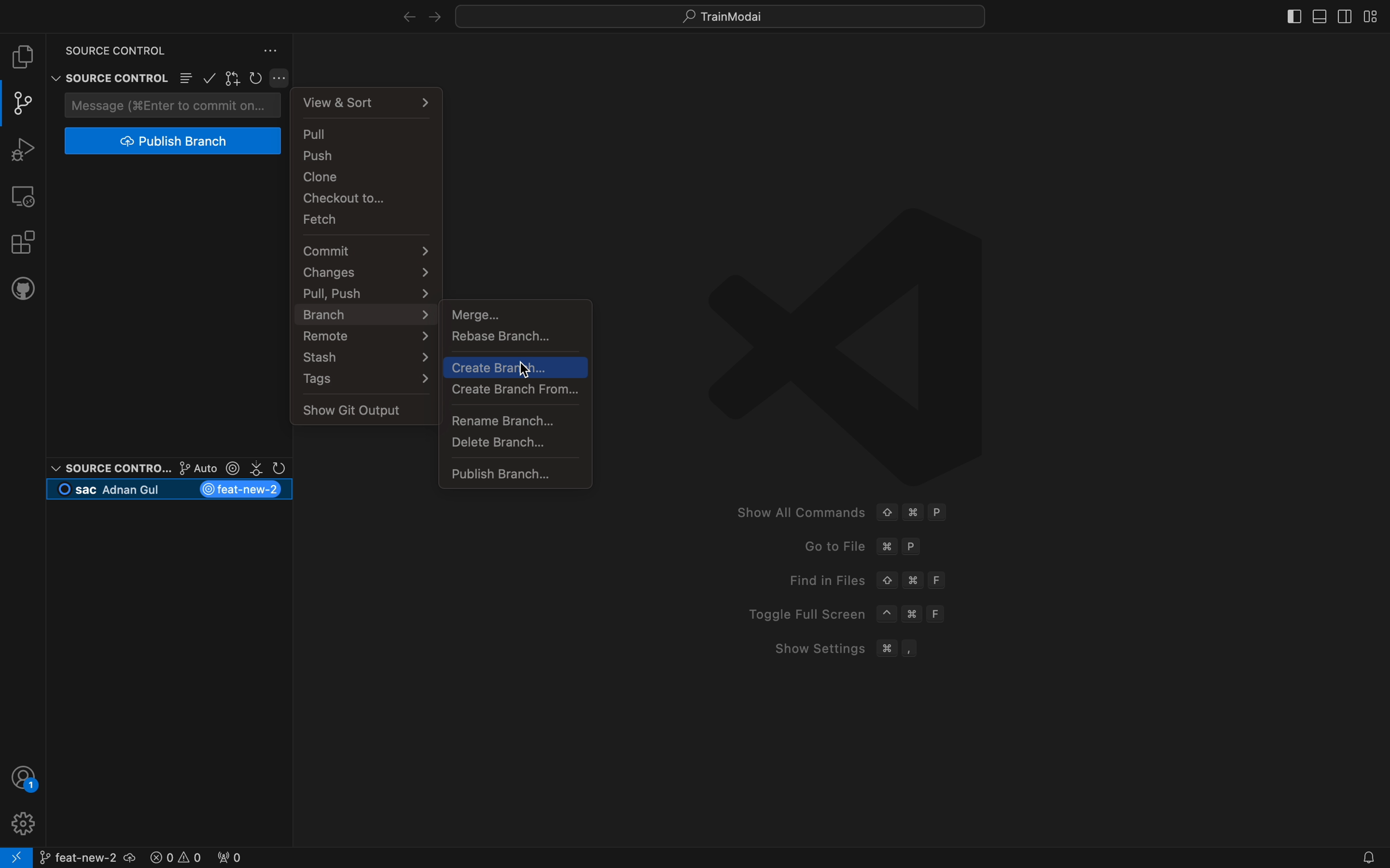  I want to click on Up, so click(886, 511).